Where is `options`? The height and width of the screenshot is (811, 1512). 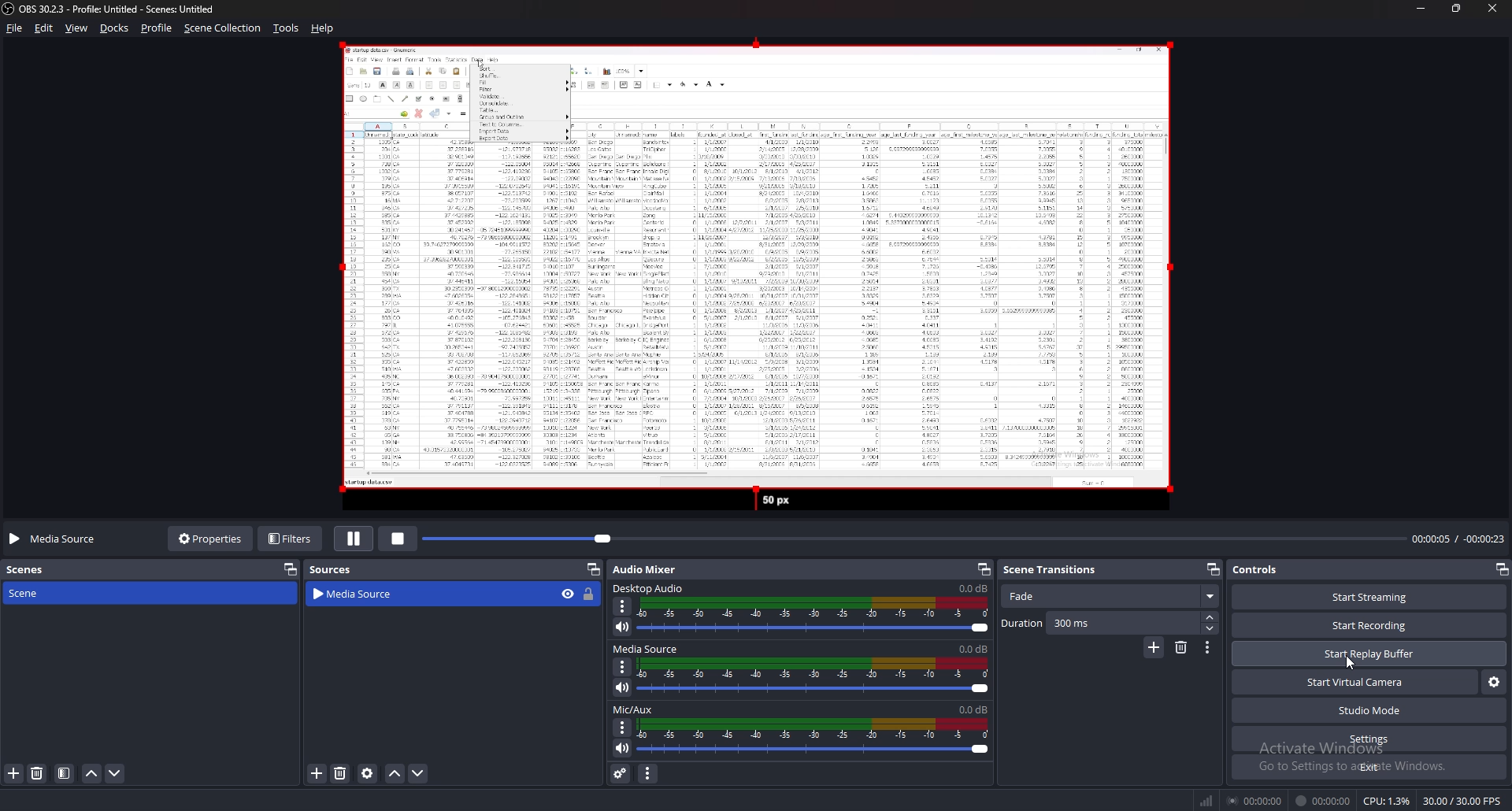 options is located at coordinates (624, 606).